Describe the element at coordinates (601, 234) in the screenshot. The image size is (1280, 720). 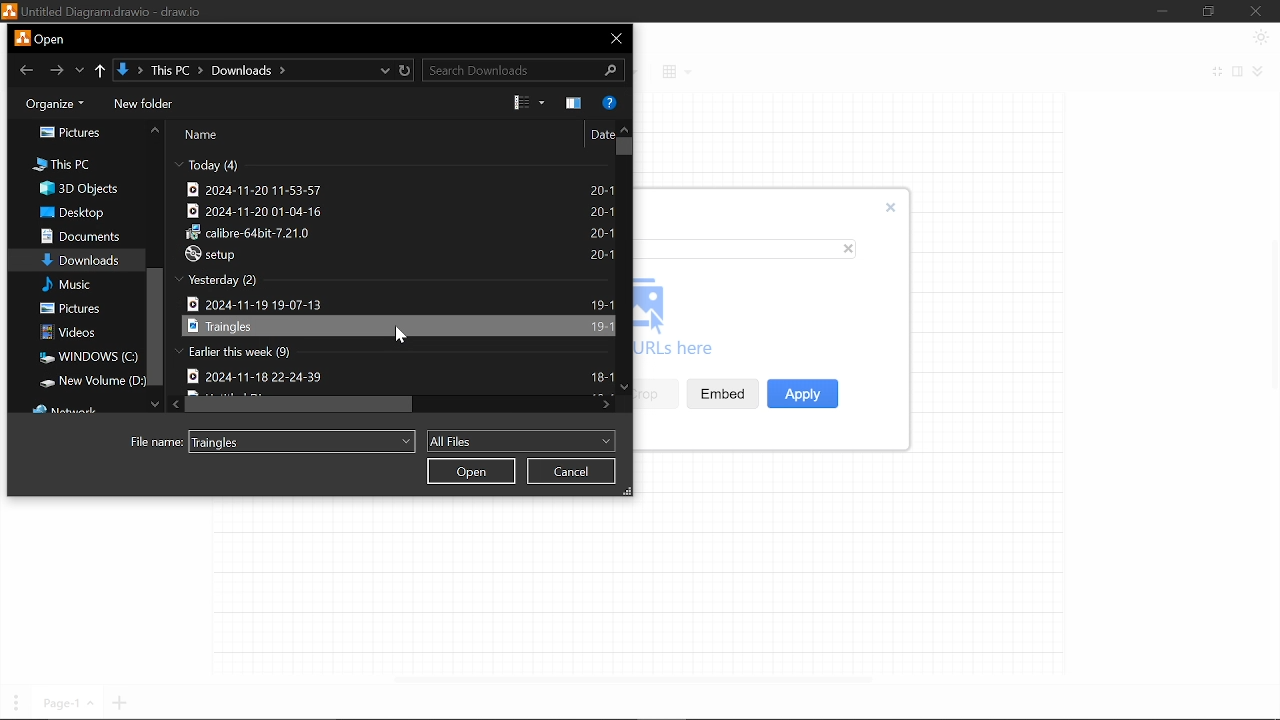
I see `20-1` at that location.